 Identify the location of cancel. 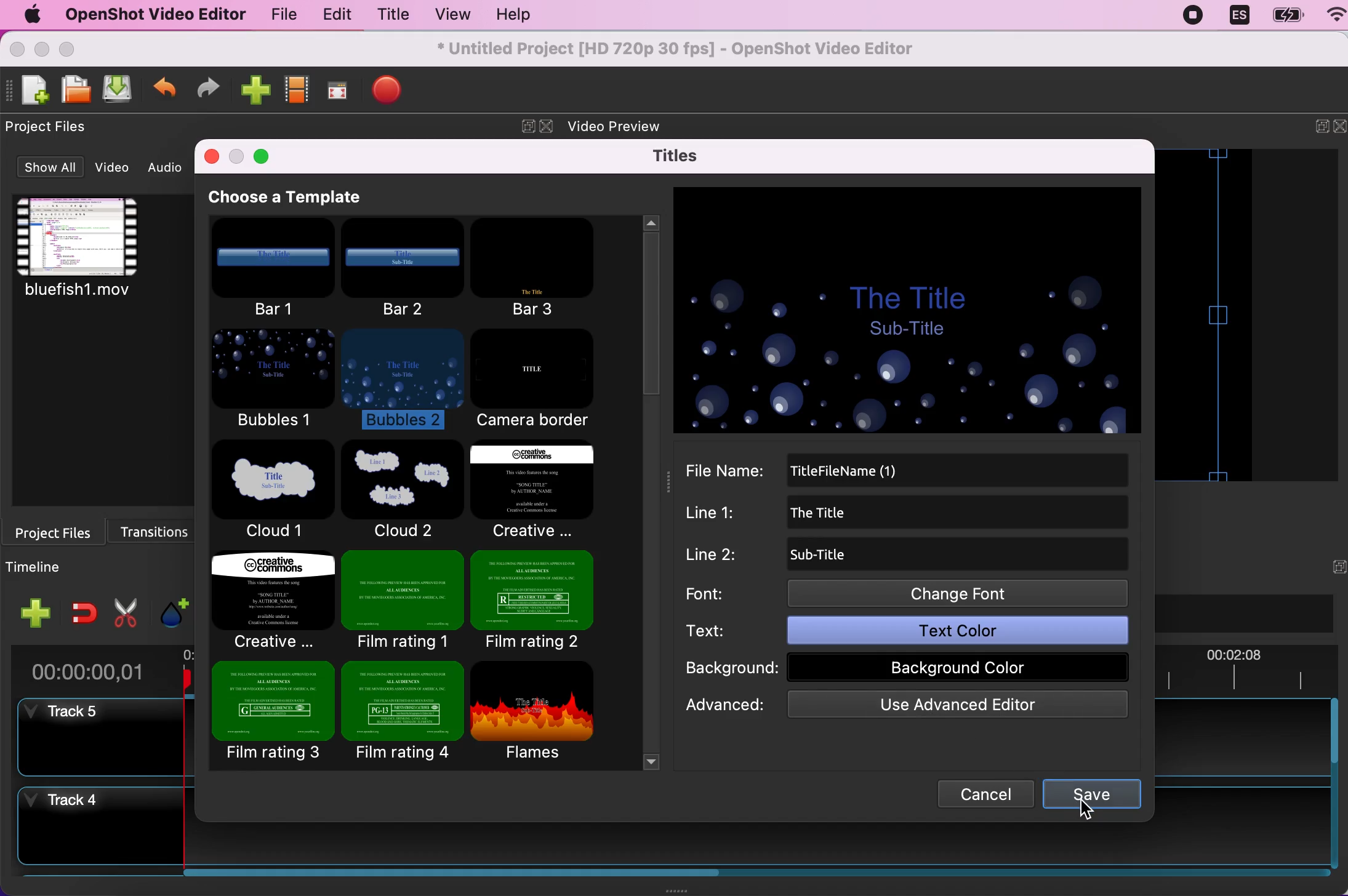
(979, 793).